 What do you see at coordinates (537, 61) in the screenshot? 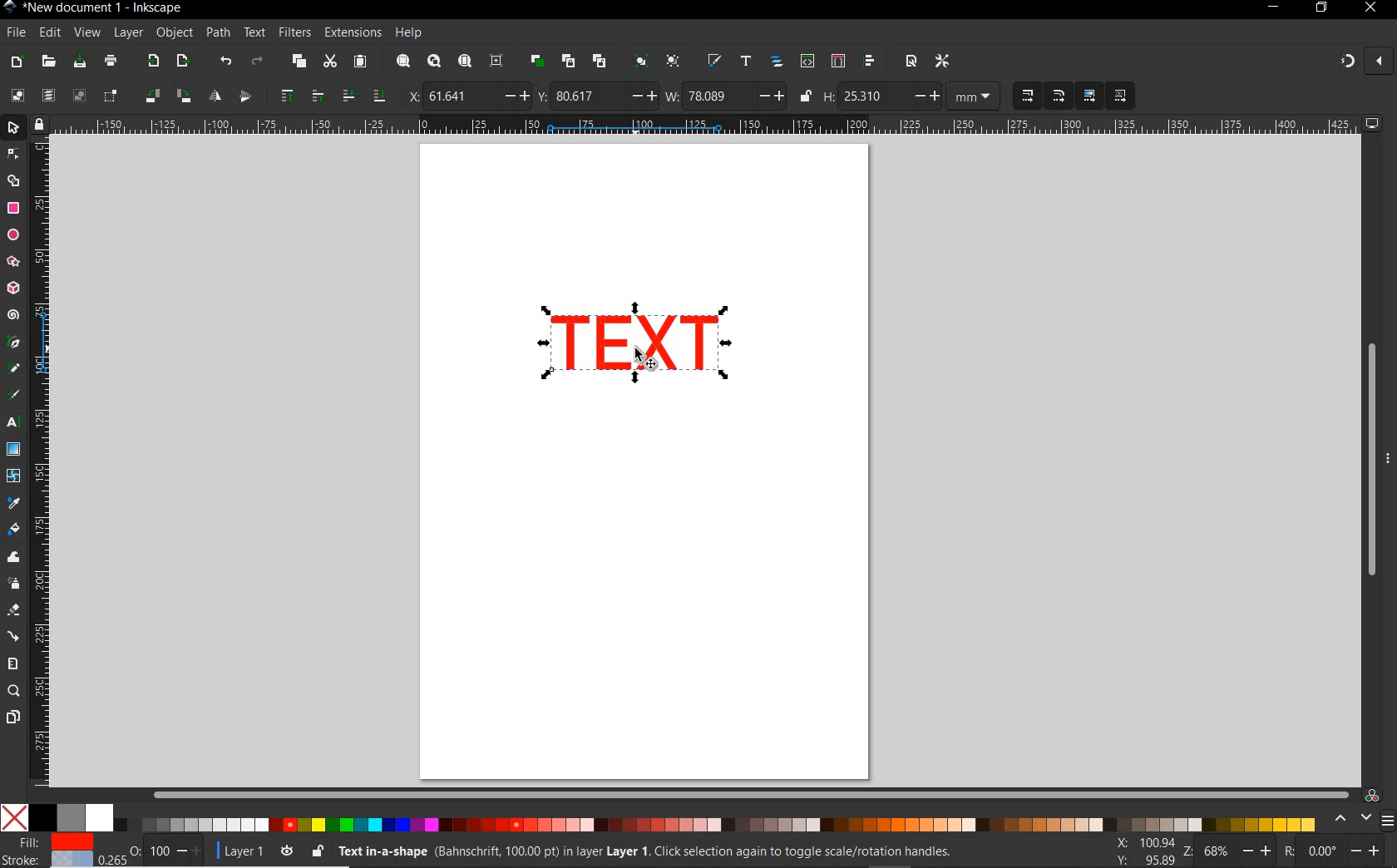
I see `duplicate` at bounding box center [537, 61].